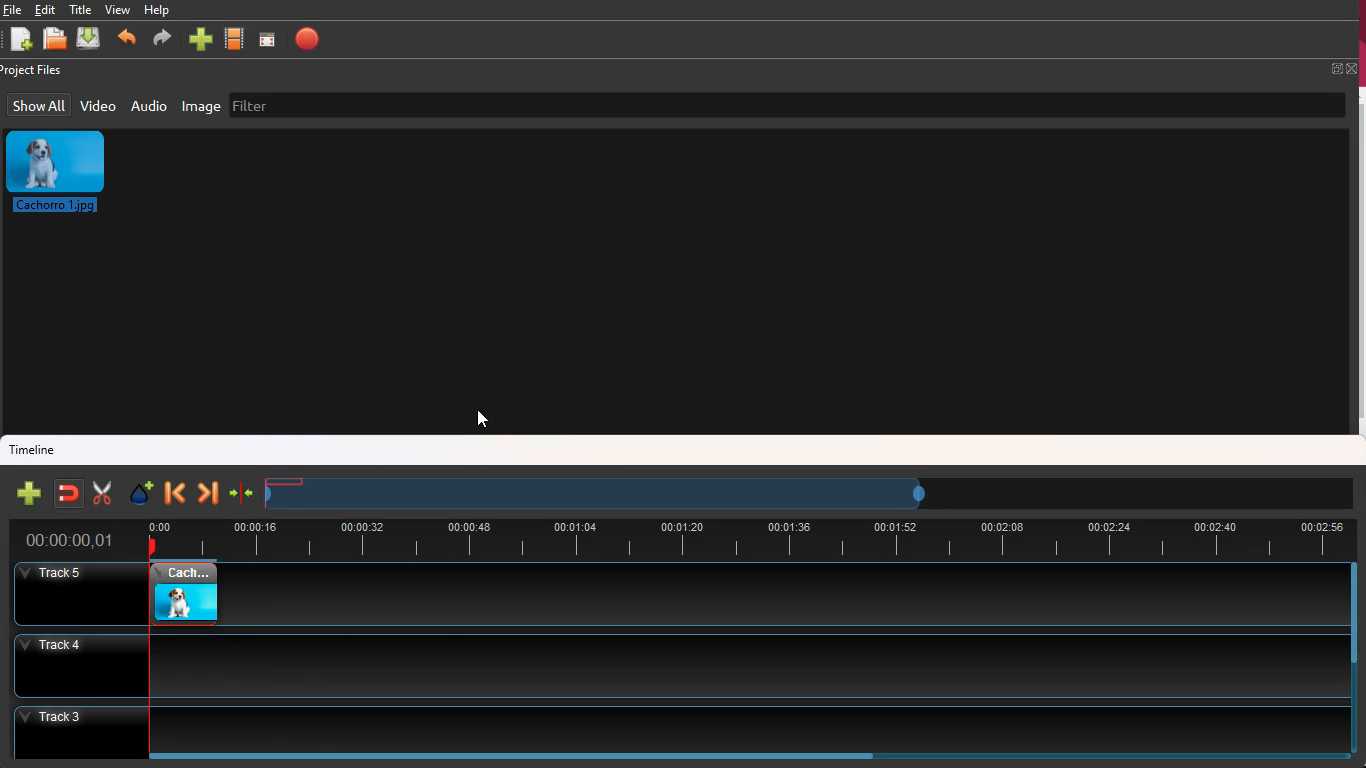 The height and width of the screenshot is (768, 1366). Describe the element at coordinates (667, 666) in the screenshot. I see `track` at that location.